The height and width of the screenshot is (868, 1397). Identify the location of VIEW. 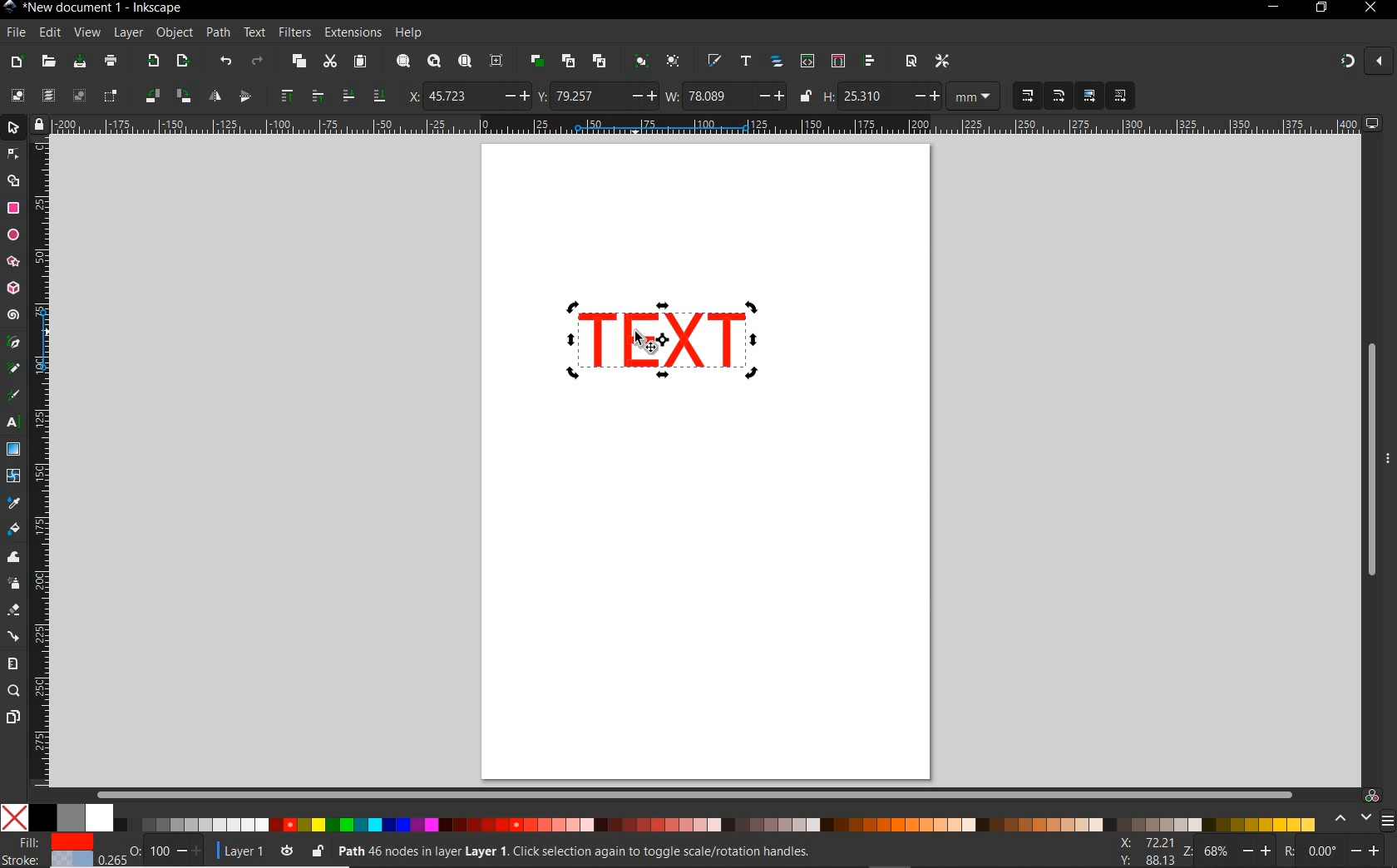
(86, 33).